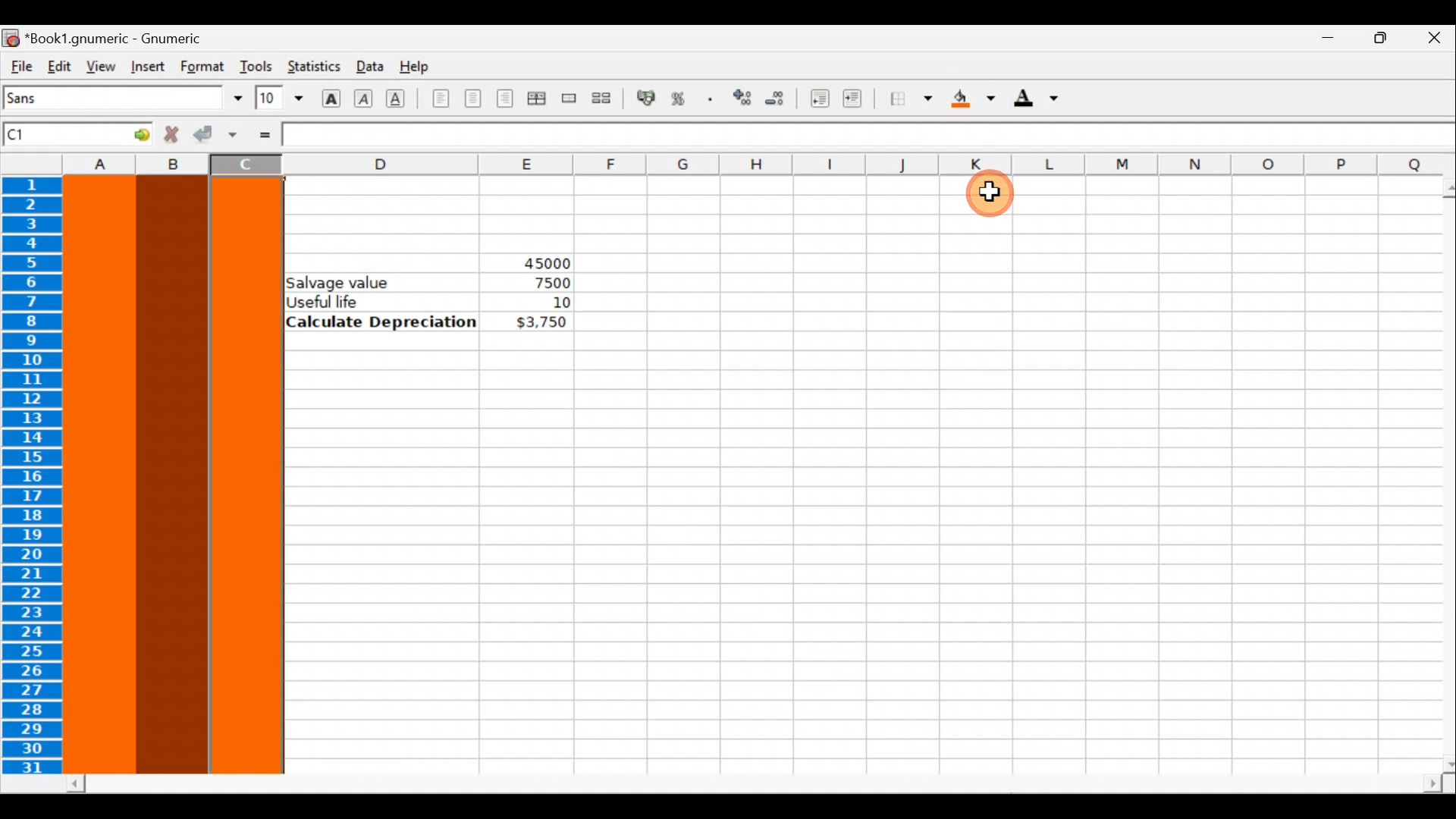  Describe the element at coordinates (384, 301) in the screenshot. I see `Useful life` at that location.